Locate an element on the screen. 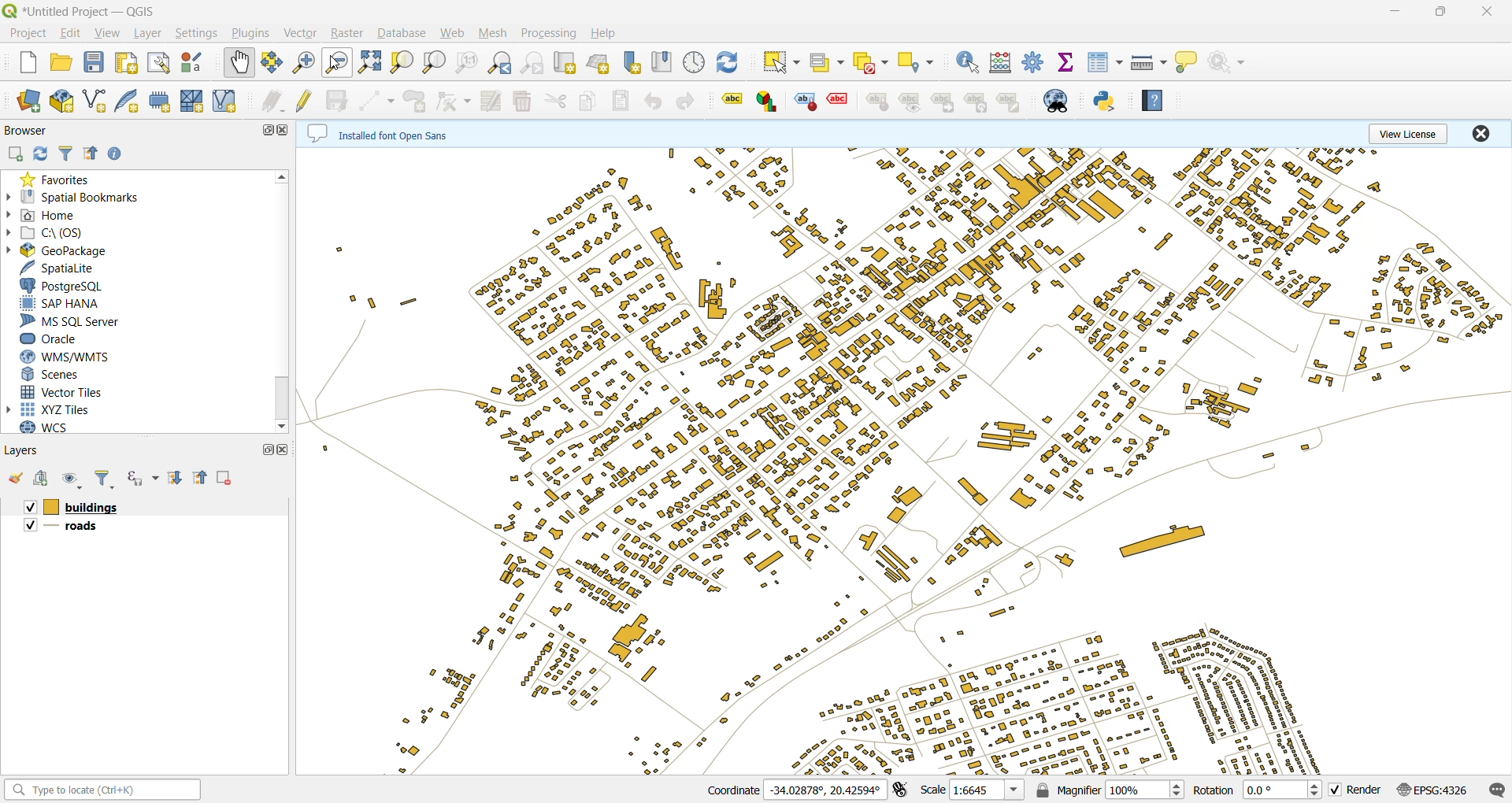  save edits is located at coordinates (339, 101).